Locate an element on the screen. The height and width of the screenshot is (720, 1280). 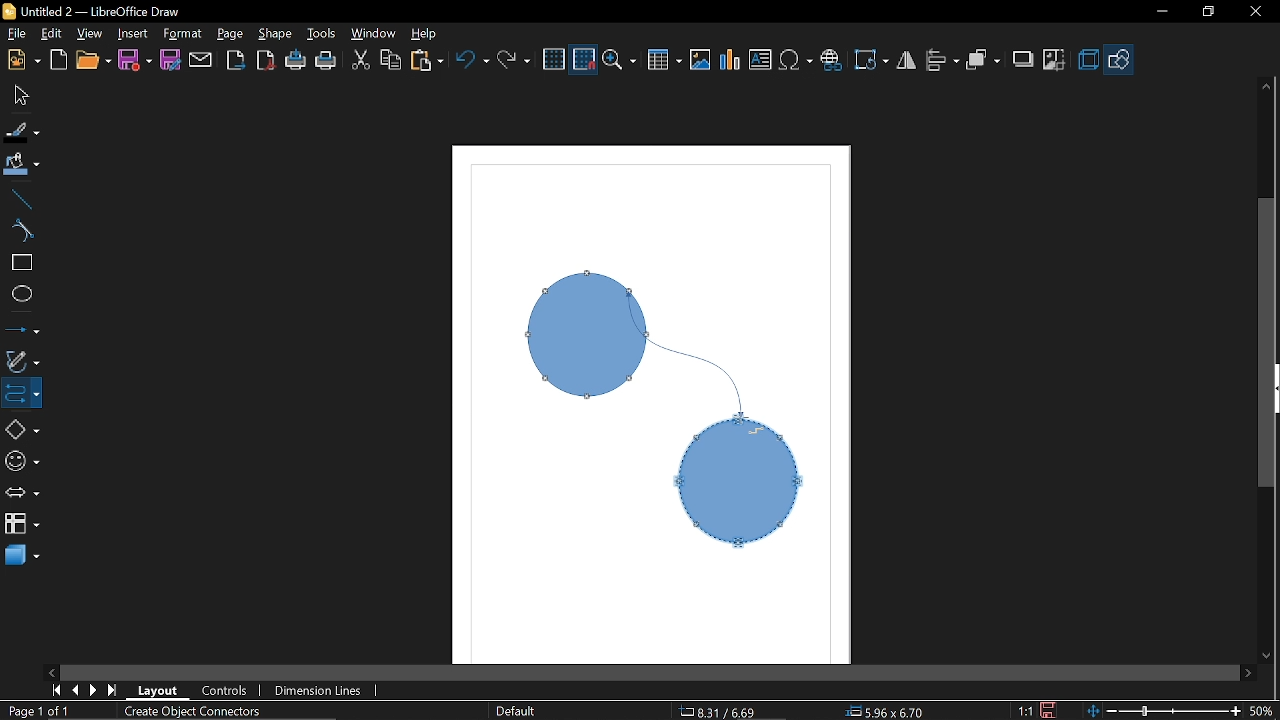
Insert image is located at coordinates (700, 60).